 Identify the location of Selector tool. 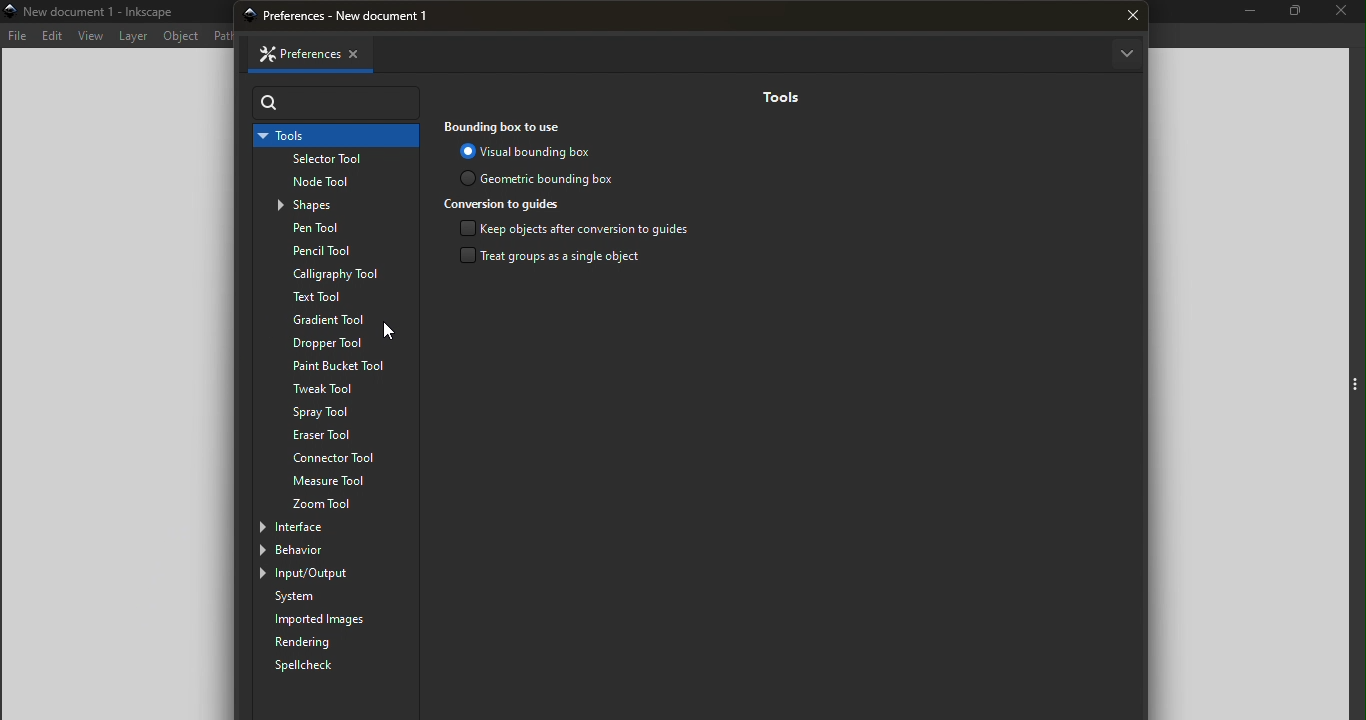
(333, 161).